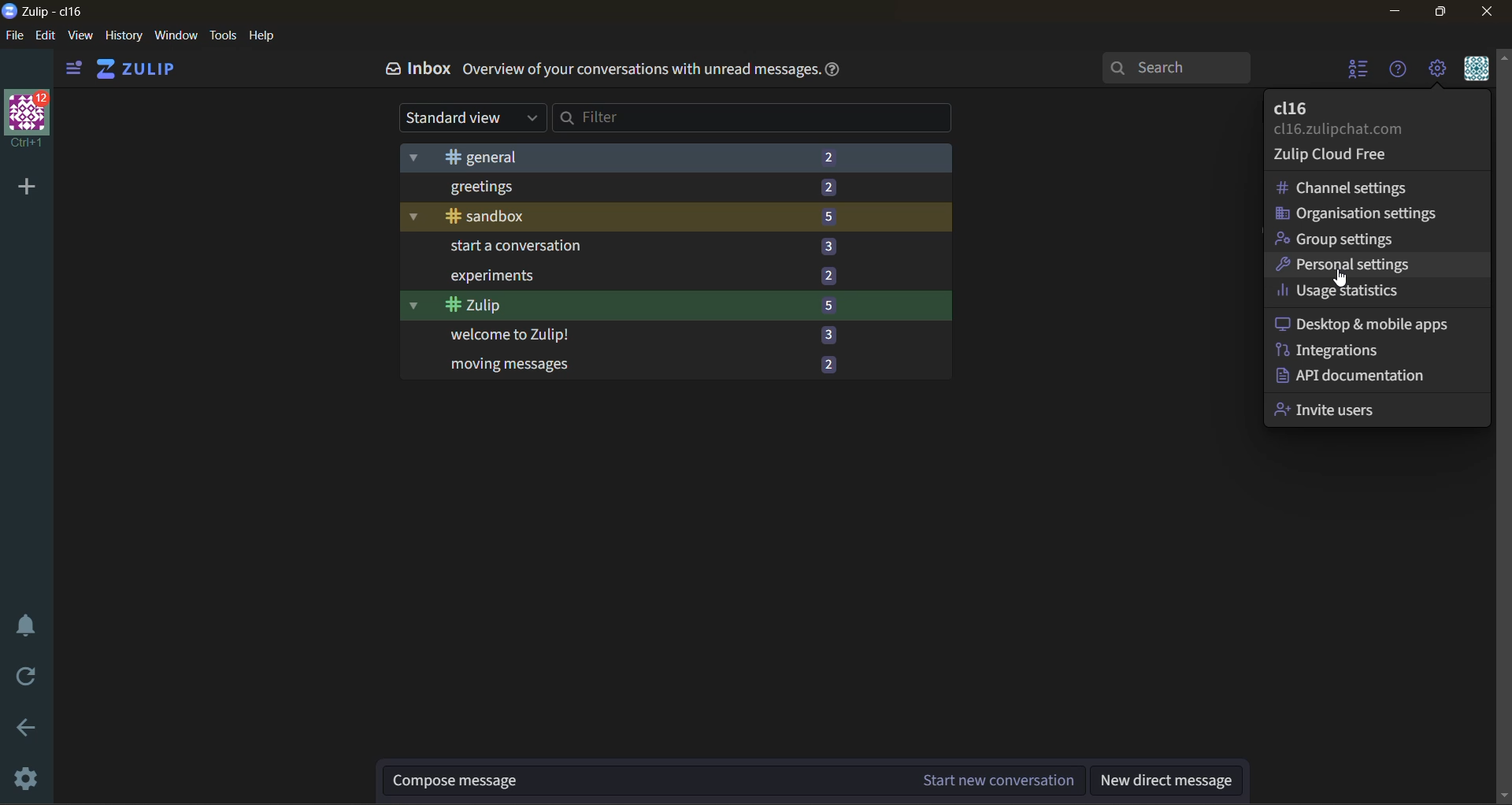 The height and width of the screenshot is (805, 1512). I want to click on desktop and mobile apps, so click(1368, 321).